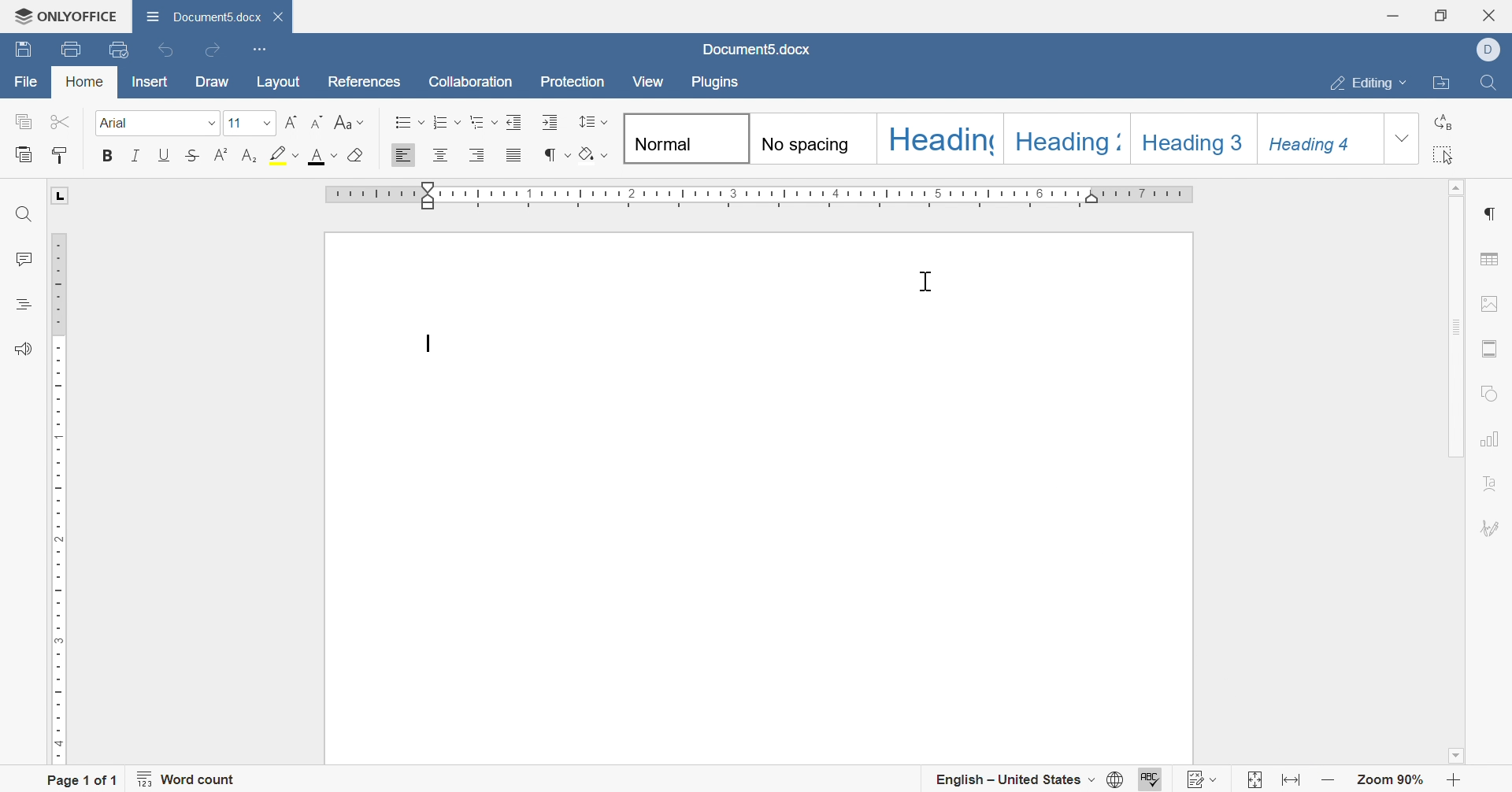  I want to click on highlight color, so click(283, 157).